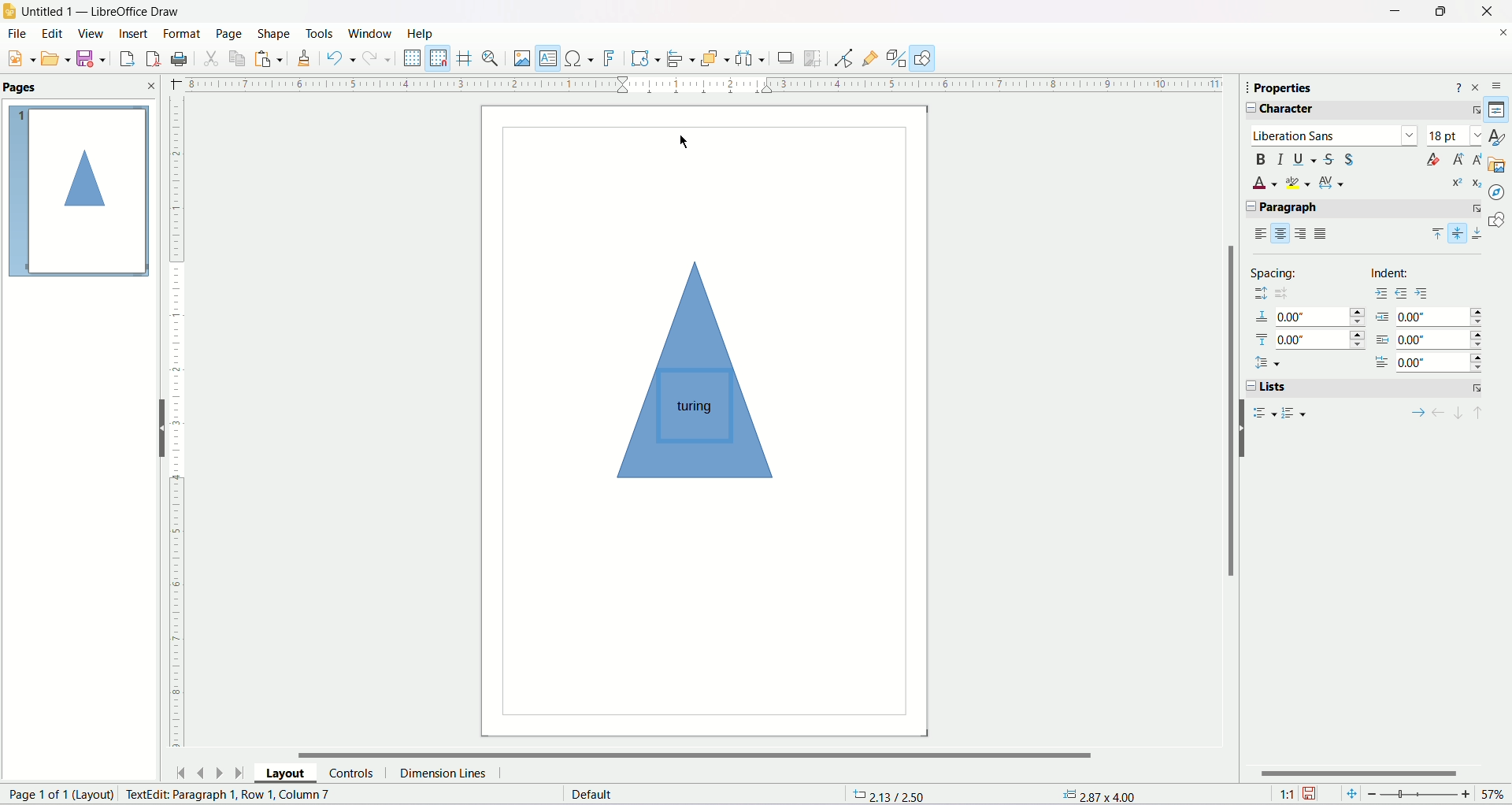 The image size is (1512, 805). I want to click on Insert special characters, so click(580, 57).